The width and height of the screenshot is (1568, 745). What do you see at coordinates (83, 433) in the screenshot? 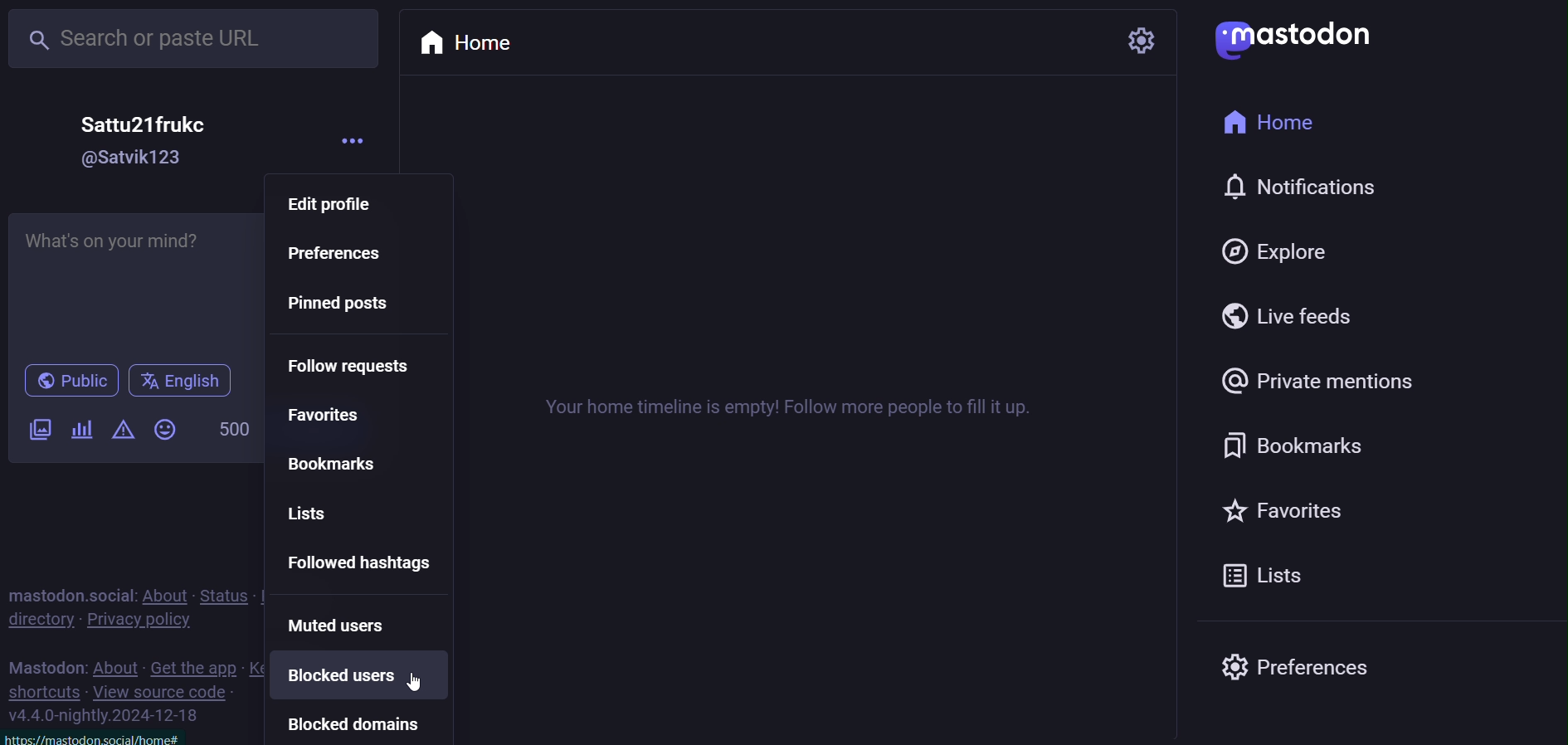
I see `add poll` at bounding box center [83, 433].